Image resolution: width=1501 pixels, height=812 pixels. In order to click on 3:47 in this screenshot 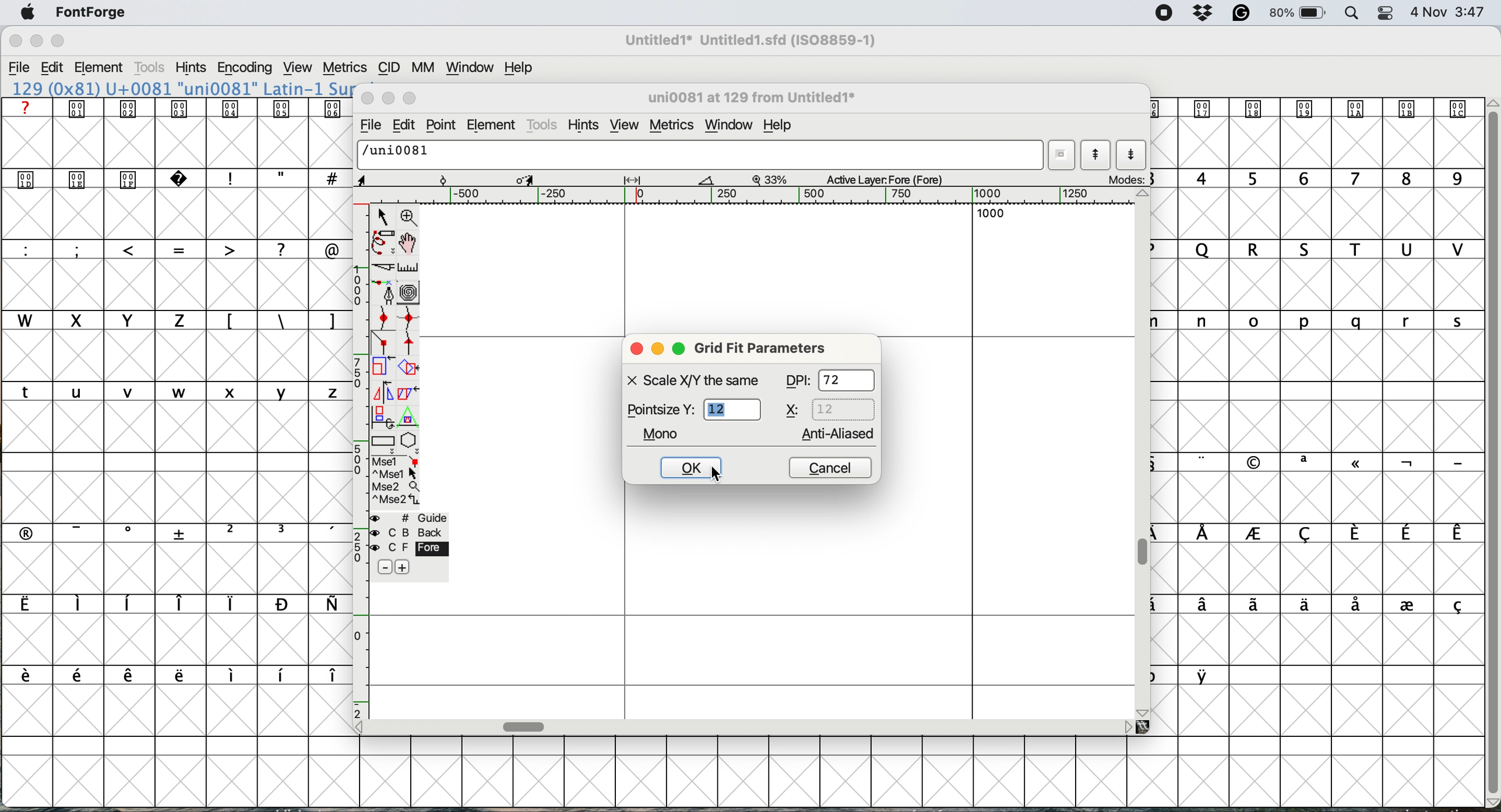, I will do `click(1469, 13)`.